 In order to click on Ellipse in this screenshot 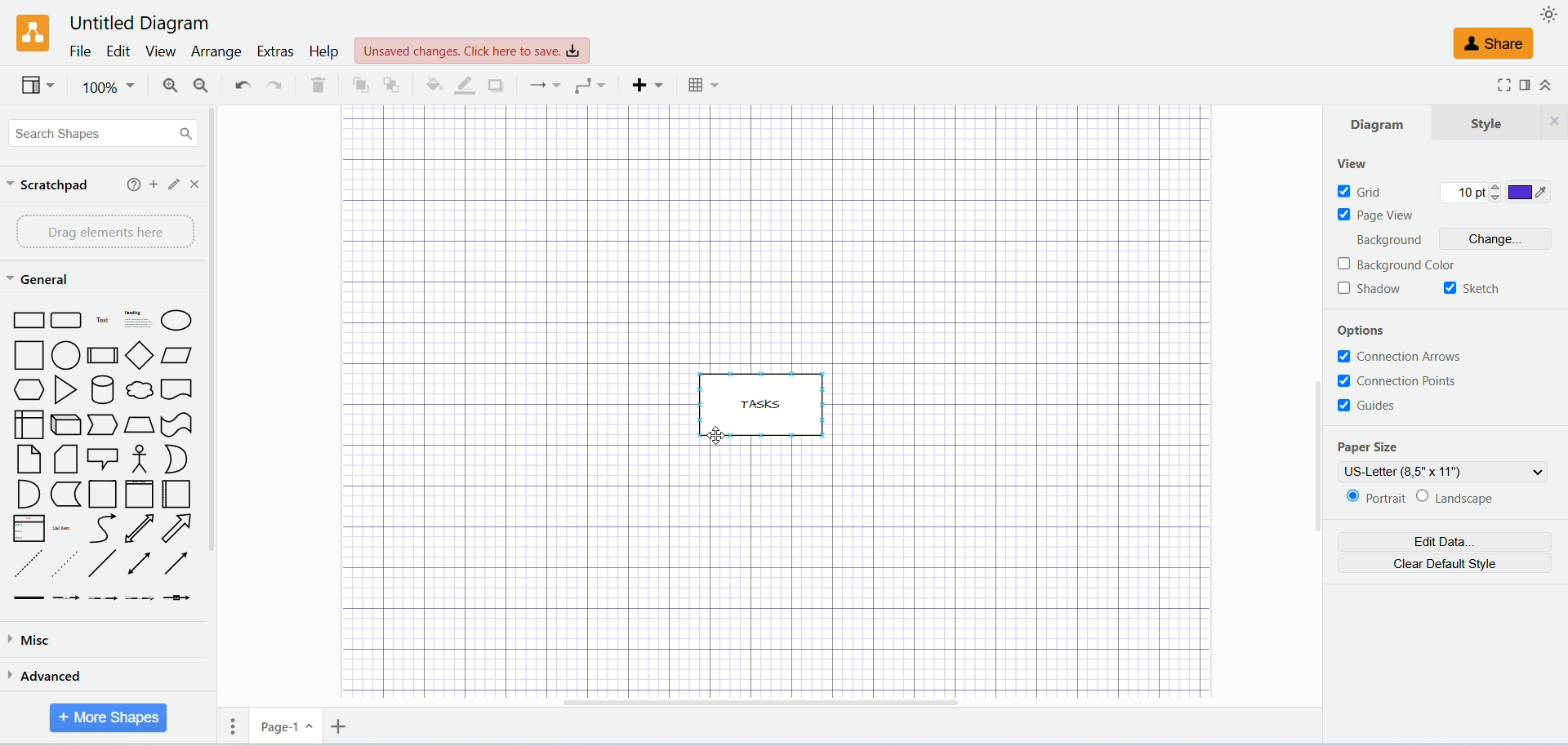, I will do `click(177, 320)`.